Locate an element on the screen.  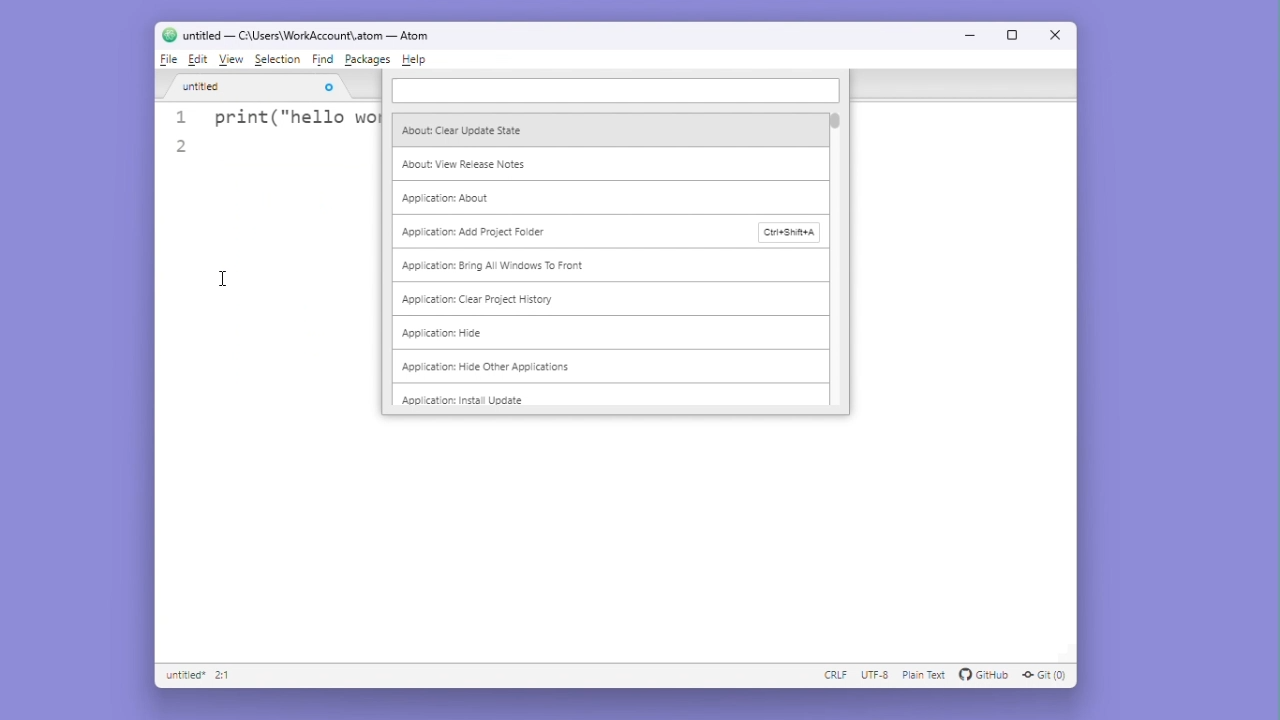
Ctrl +shift + a is located at coordinates (792, 233).